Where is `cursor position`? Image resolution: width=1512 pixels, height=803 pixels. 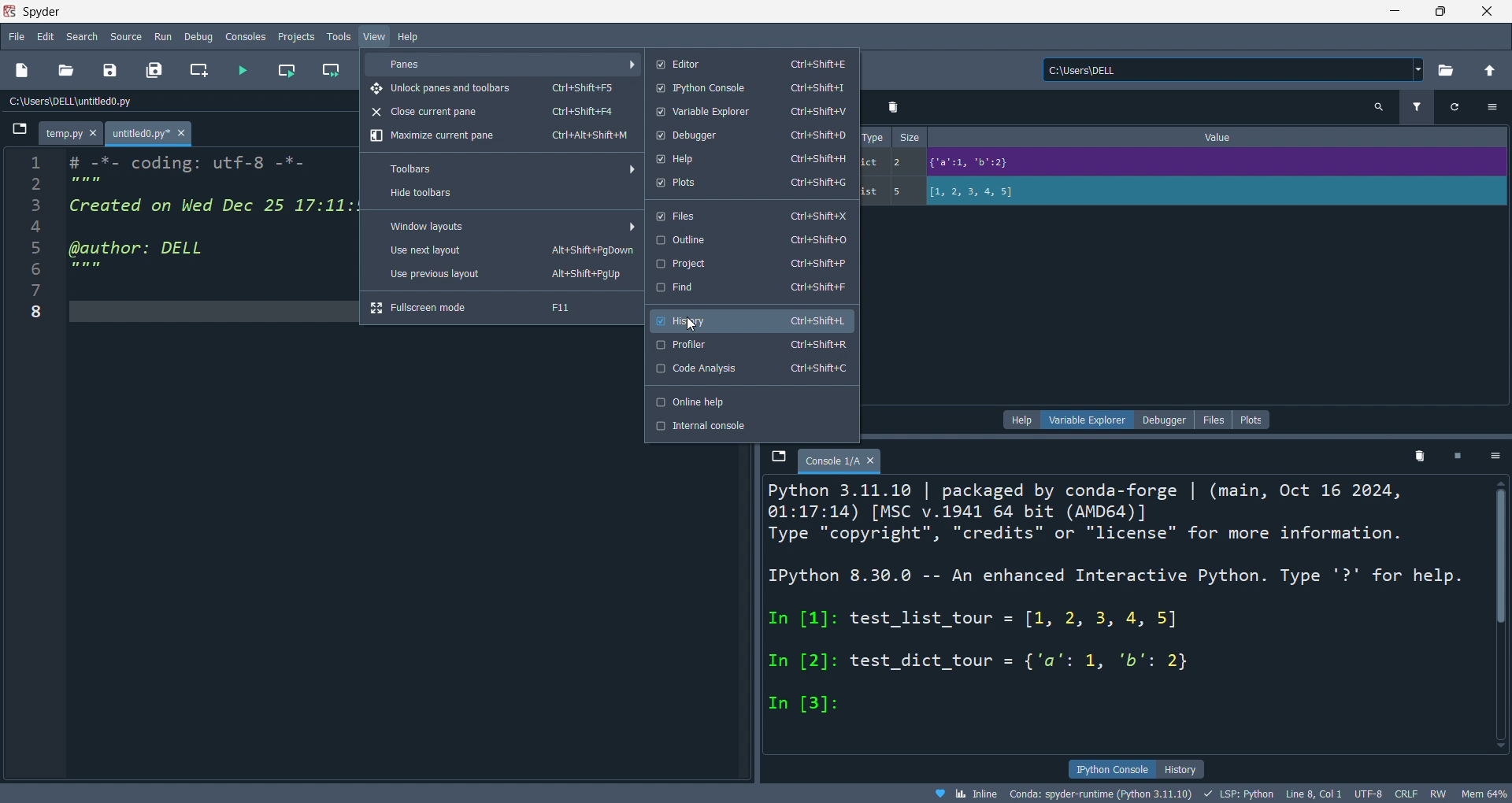 cursor position is located at coordinates (1313, 794).